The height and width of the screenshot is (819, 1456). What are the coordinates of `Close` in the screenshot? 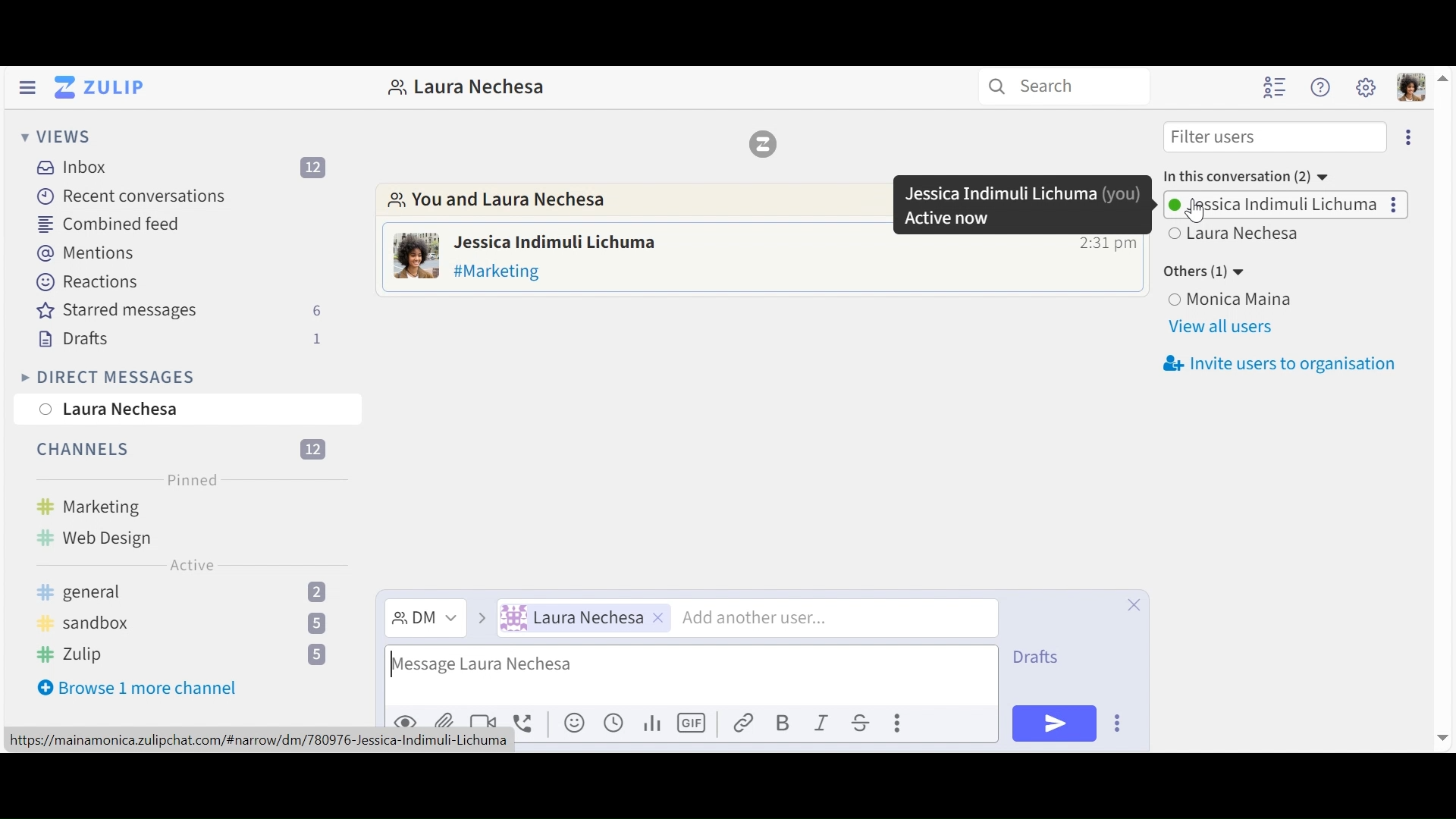 It's located at (1136, 608).